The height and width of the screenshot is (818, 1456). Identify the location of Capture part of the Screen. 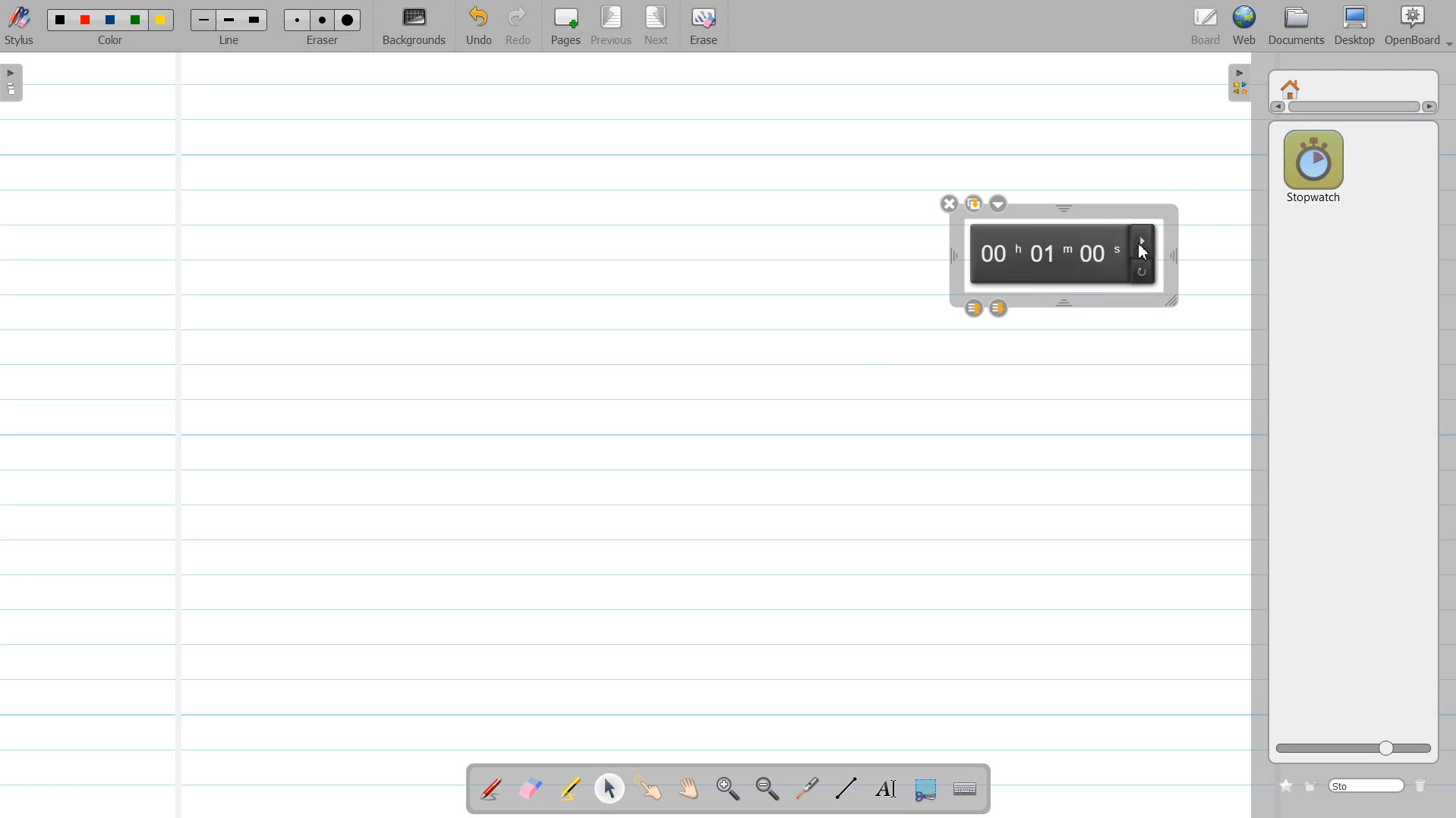
(928, 790).